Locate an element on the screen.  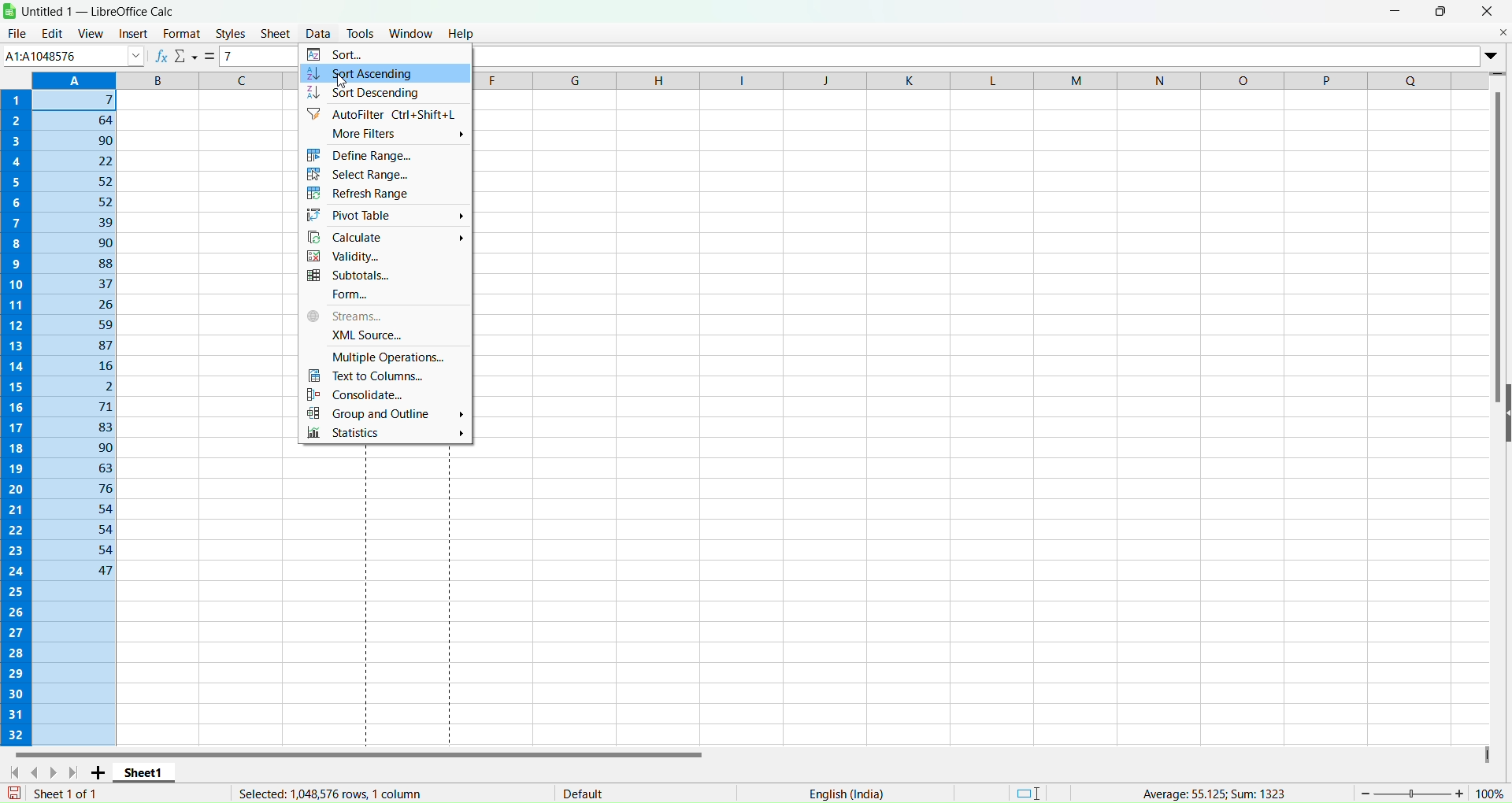
Tools is located at coordinates (363, 29).